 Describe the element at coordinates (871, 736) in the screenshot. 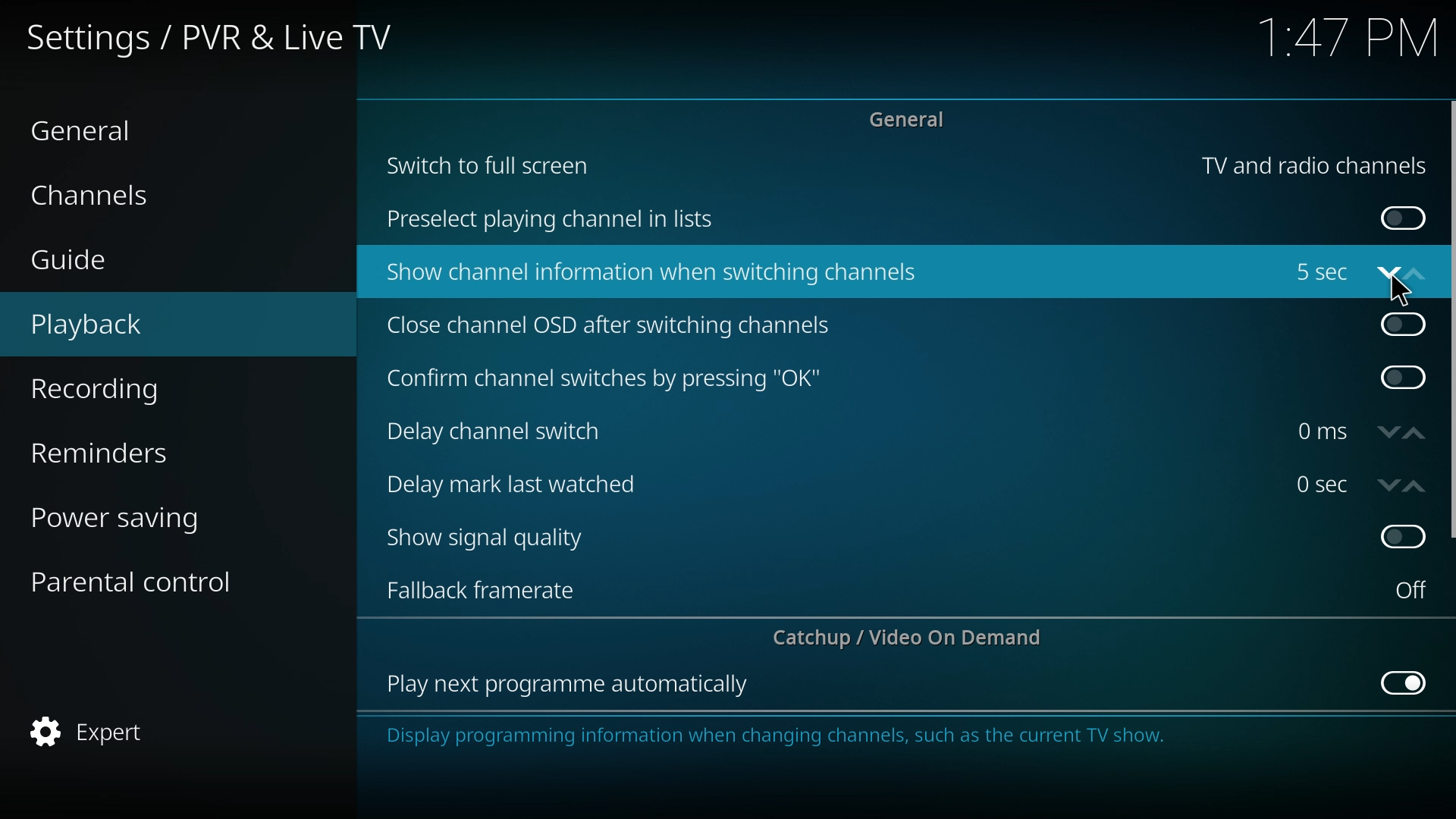

I see `info` at that location.